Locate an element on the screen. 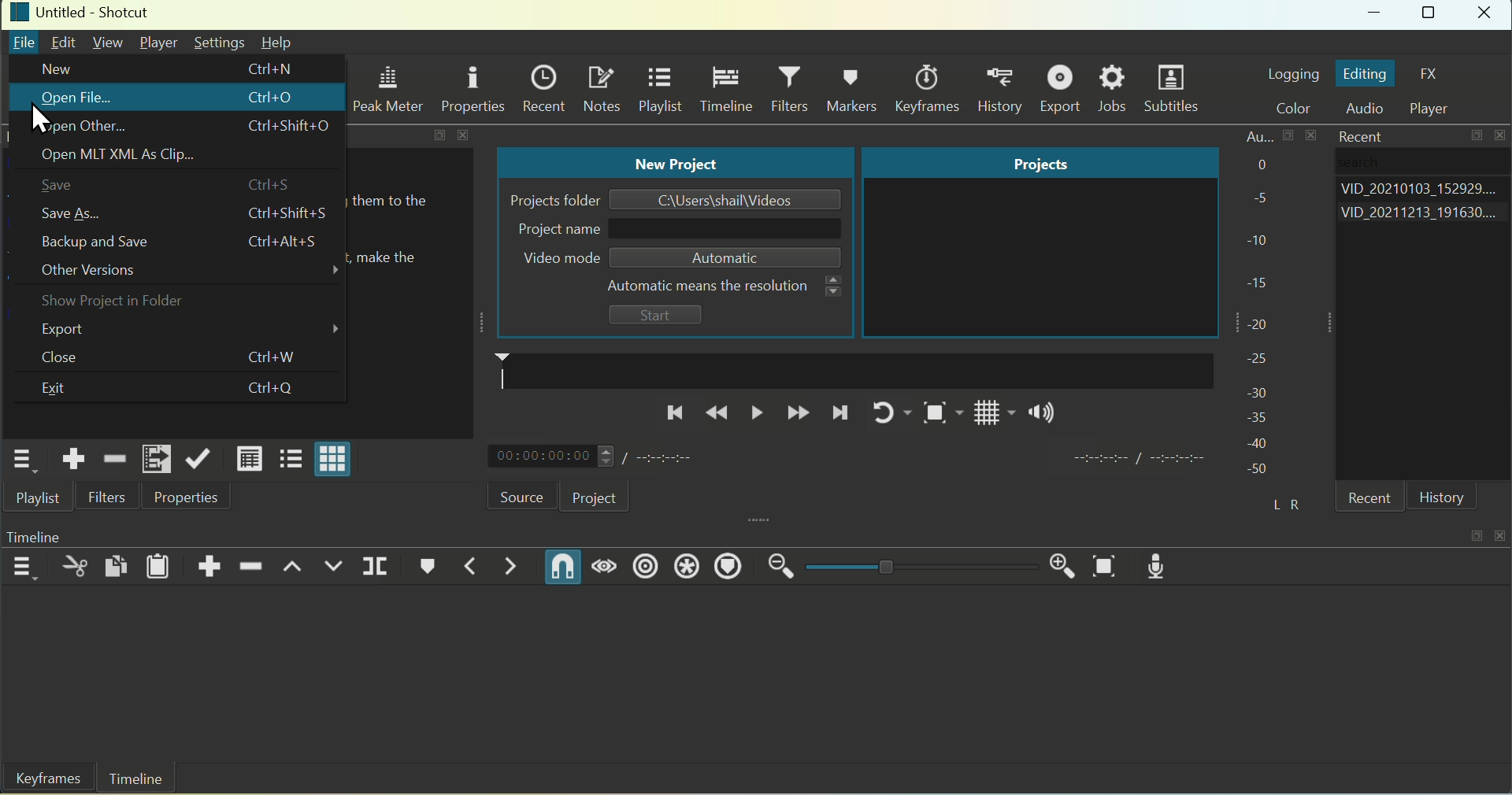 This screenshot has width=1512, height=795. Projects Folder is located at coordinates (544, 203).